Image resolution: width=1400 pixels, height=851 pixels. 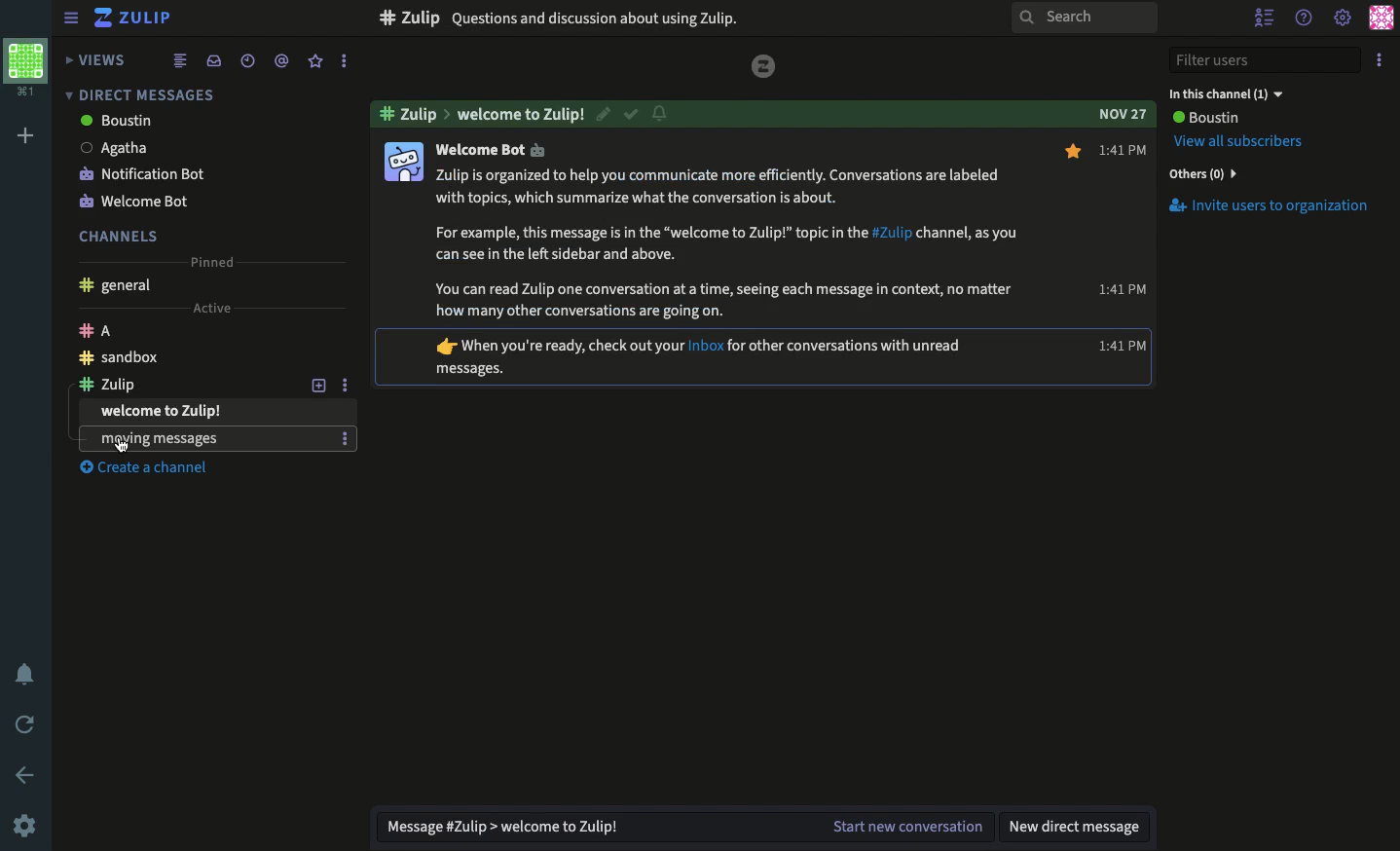 What do you see at coordinates (188, 386) in the screenshot?
I see `channel zulip` at bounding box center [188, 386].